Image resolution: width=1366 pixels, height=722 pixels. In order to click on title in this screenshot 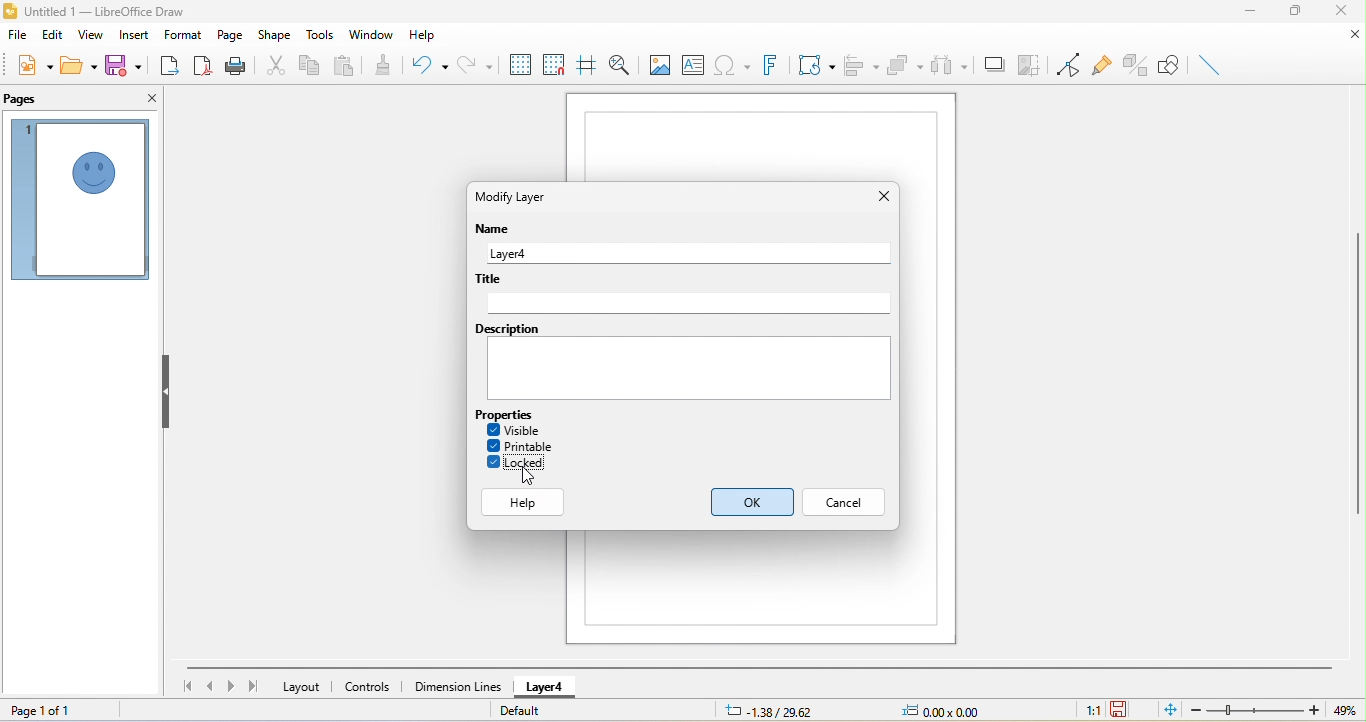, I will do `click(683, 293)`.